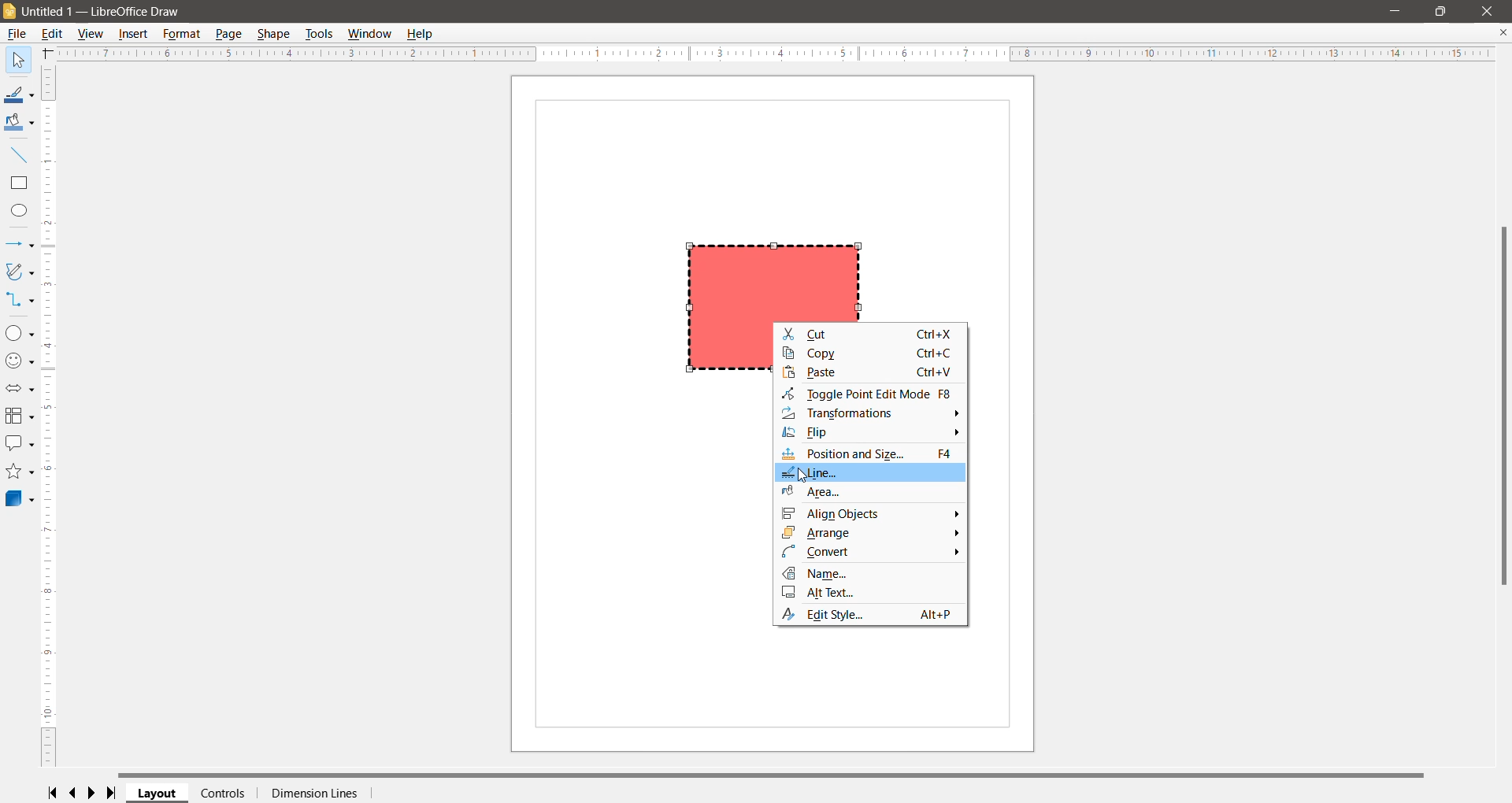 This screenshot has width=1512, height=803. Describe the element at coordinates (19, 183) in the screenshot. I see `Rectangle` at that location.